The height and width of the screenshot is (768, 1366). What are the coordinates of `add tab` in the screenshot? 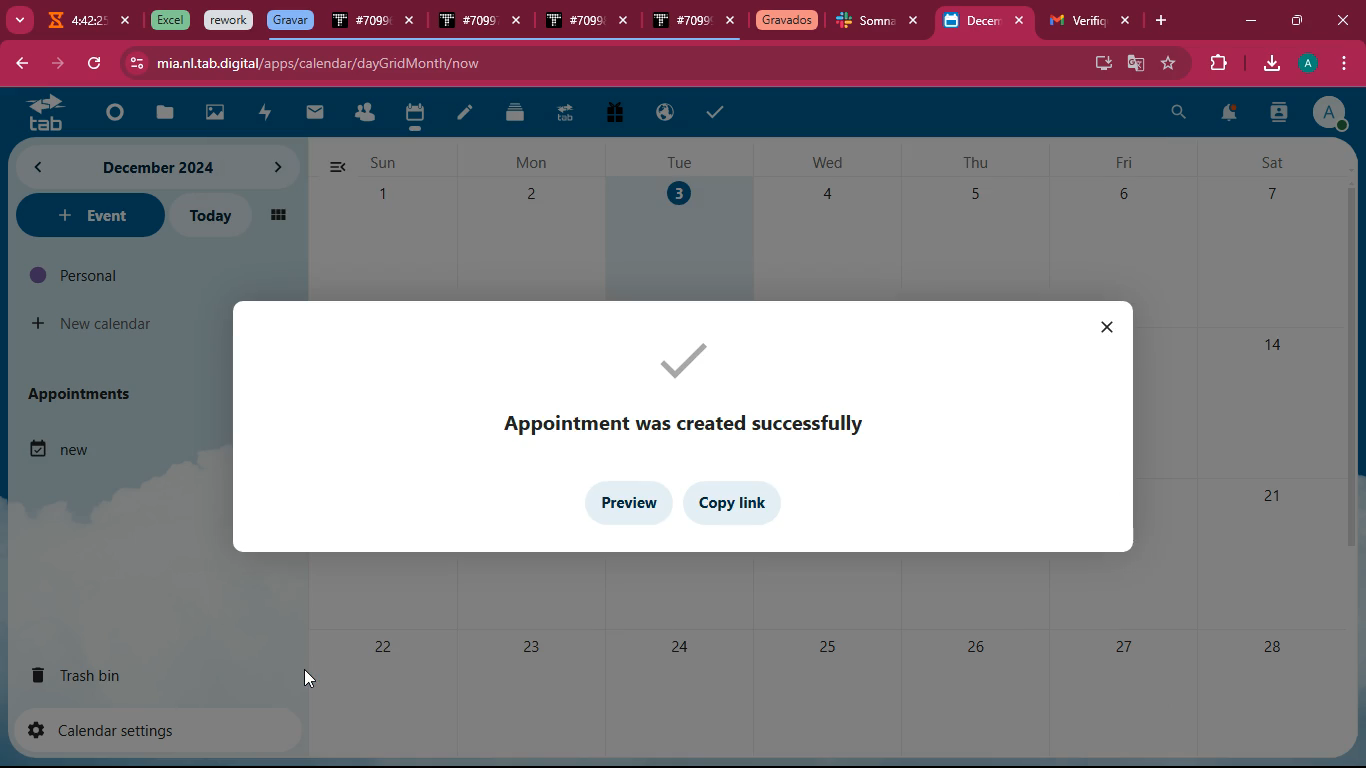 It's located at (1165, 21).